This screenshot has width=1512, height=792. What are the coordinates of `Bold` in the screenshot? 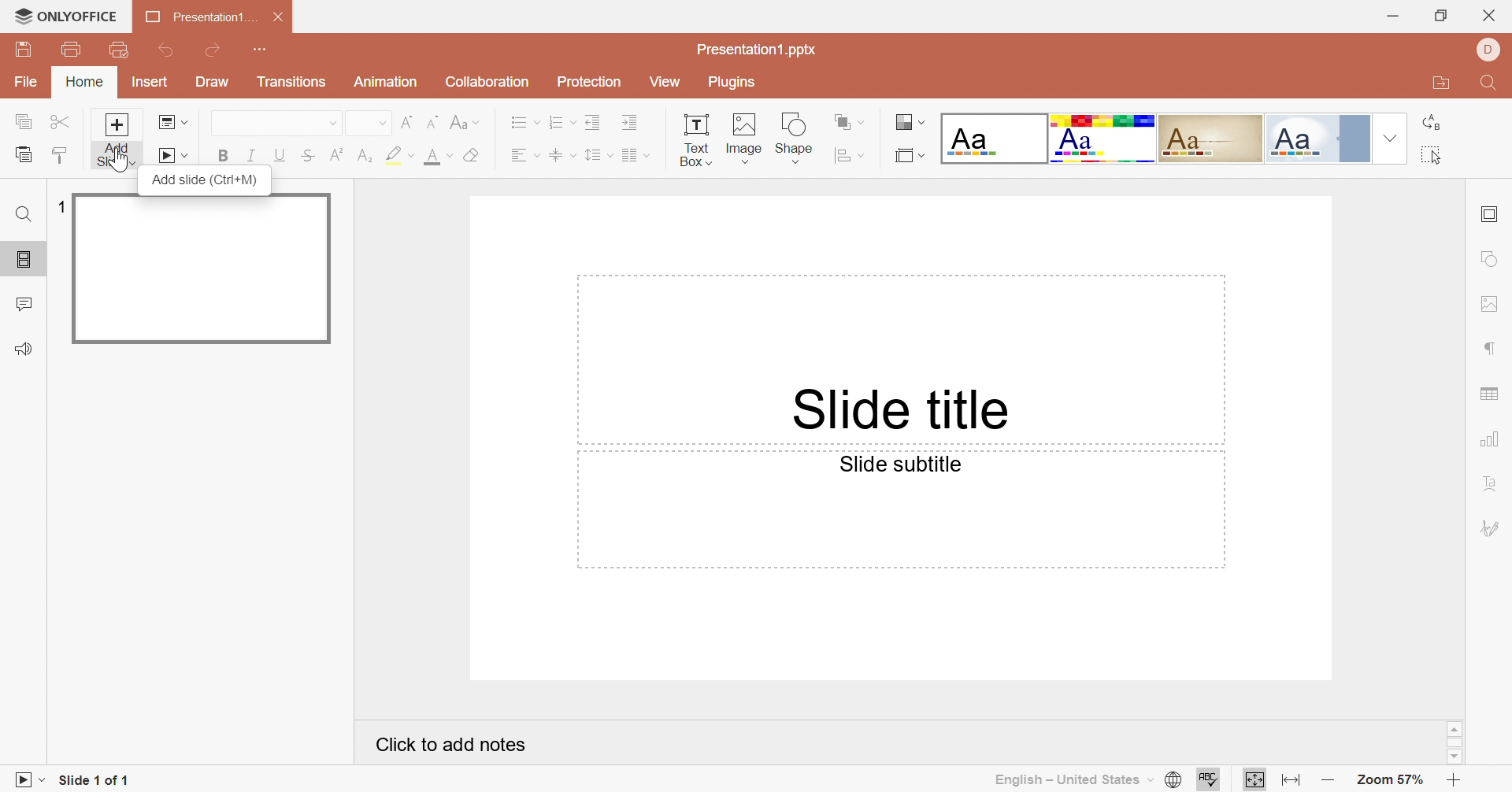 It's located at (225, 153).